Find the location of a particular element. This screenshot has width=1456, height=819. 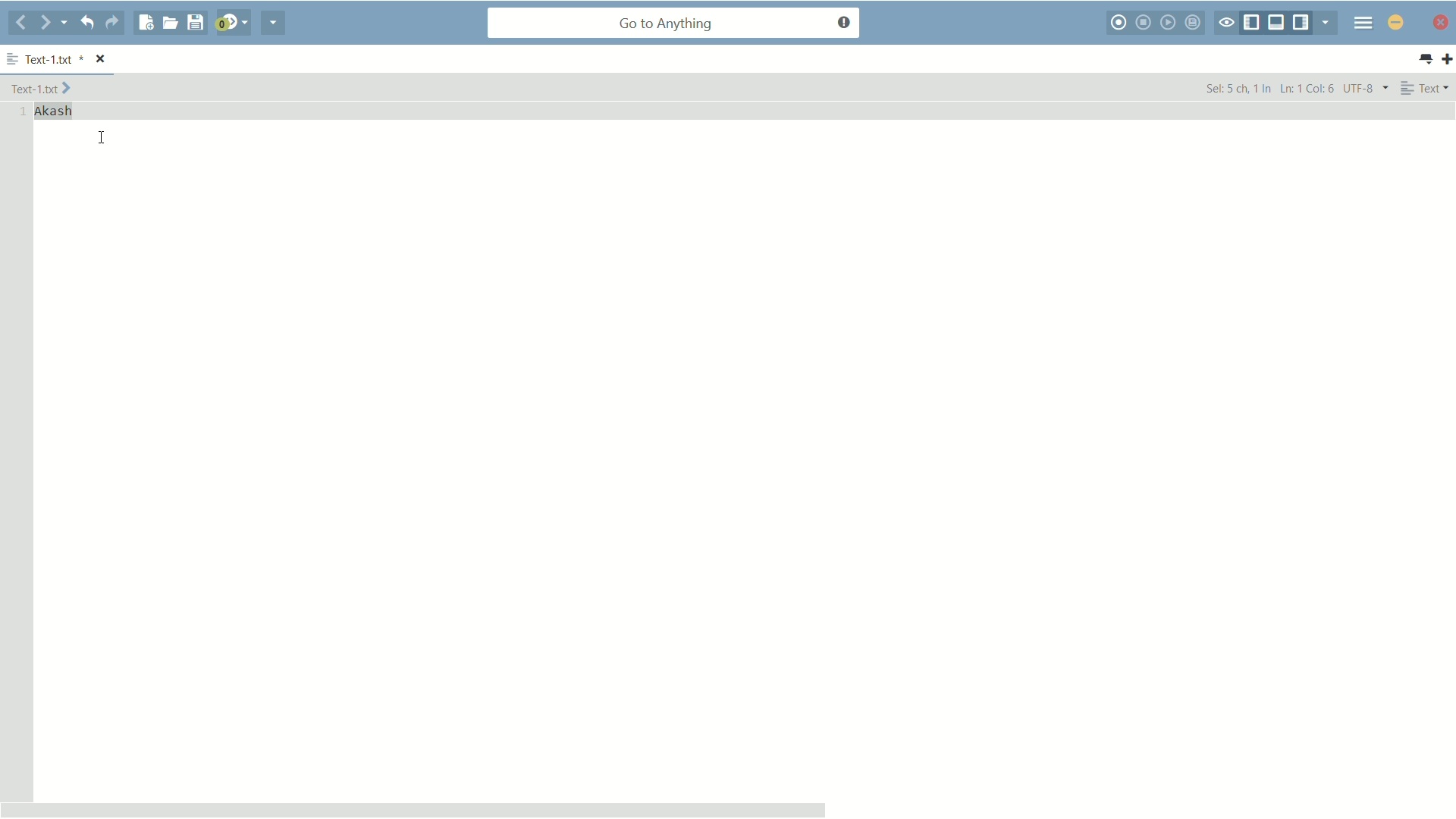

text-1 File is located at coordinates (41, 87).